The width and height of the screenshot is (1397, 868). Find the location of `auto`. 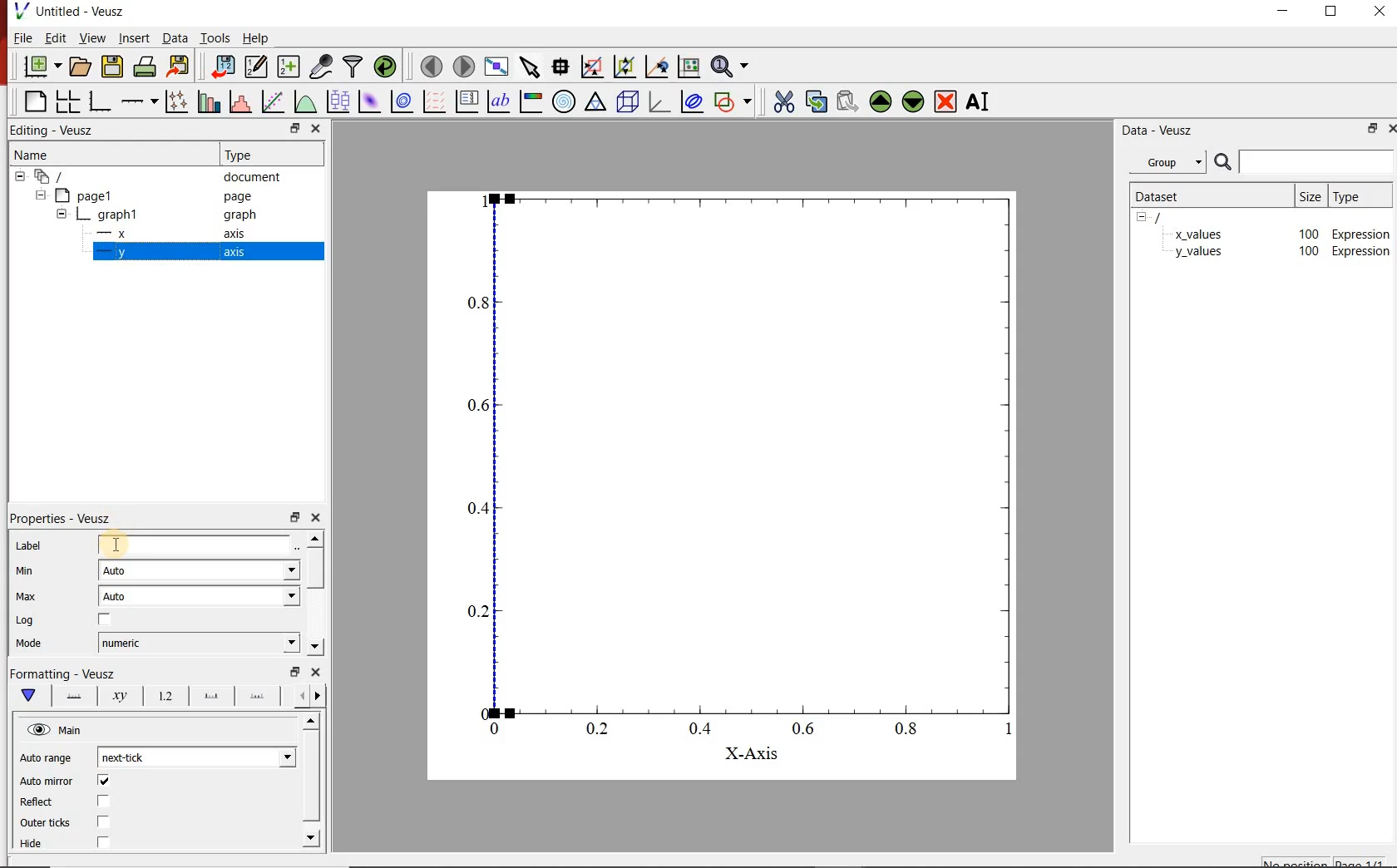

auto is located at coordinates (200, 570).